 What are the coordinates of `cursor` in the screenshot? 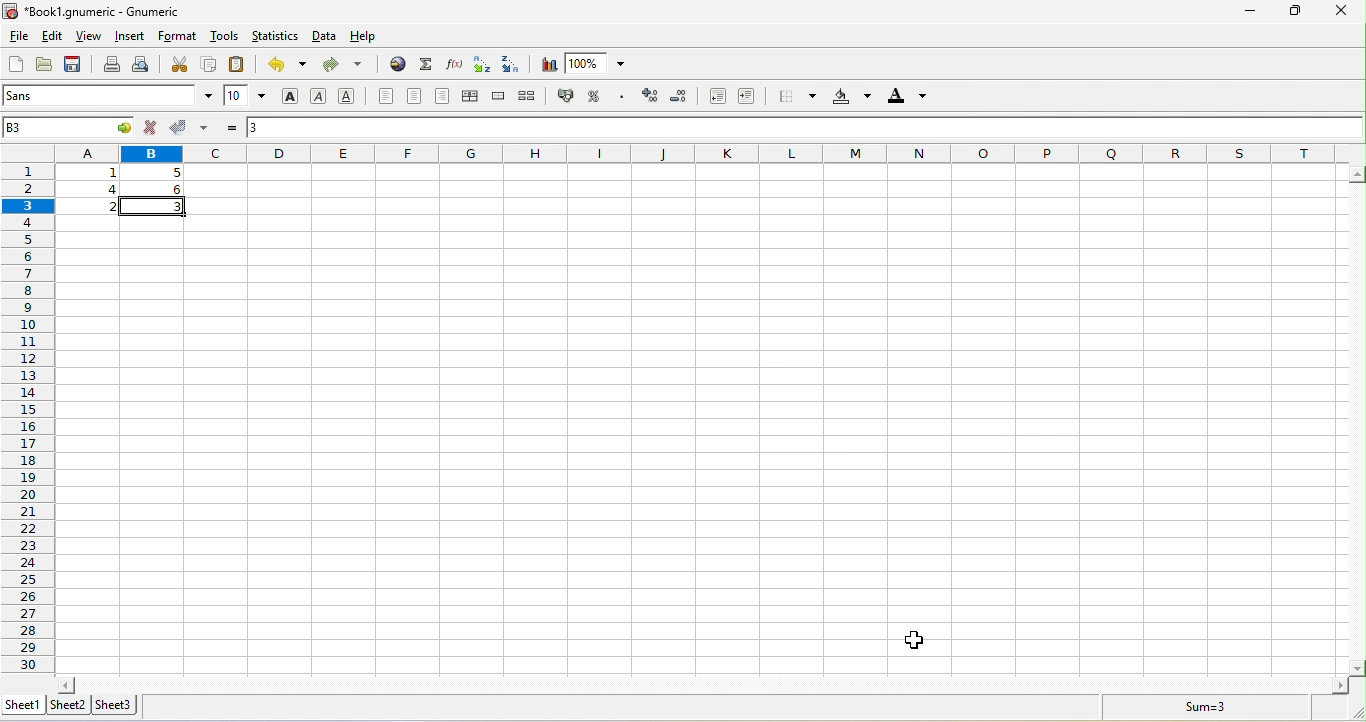 It's located at (920, 640).